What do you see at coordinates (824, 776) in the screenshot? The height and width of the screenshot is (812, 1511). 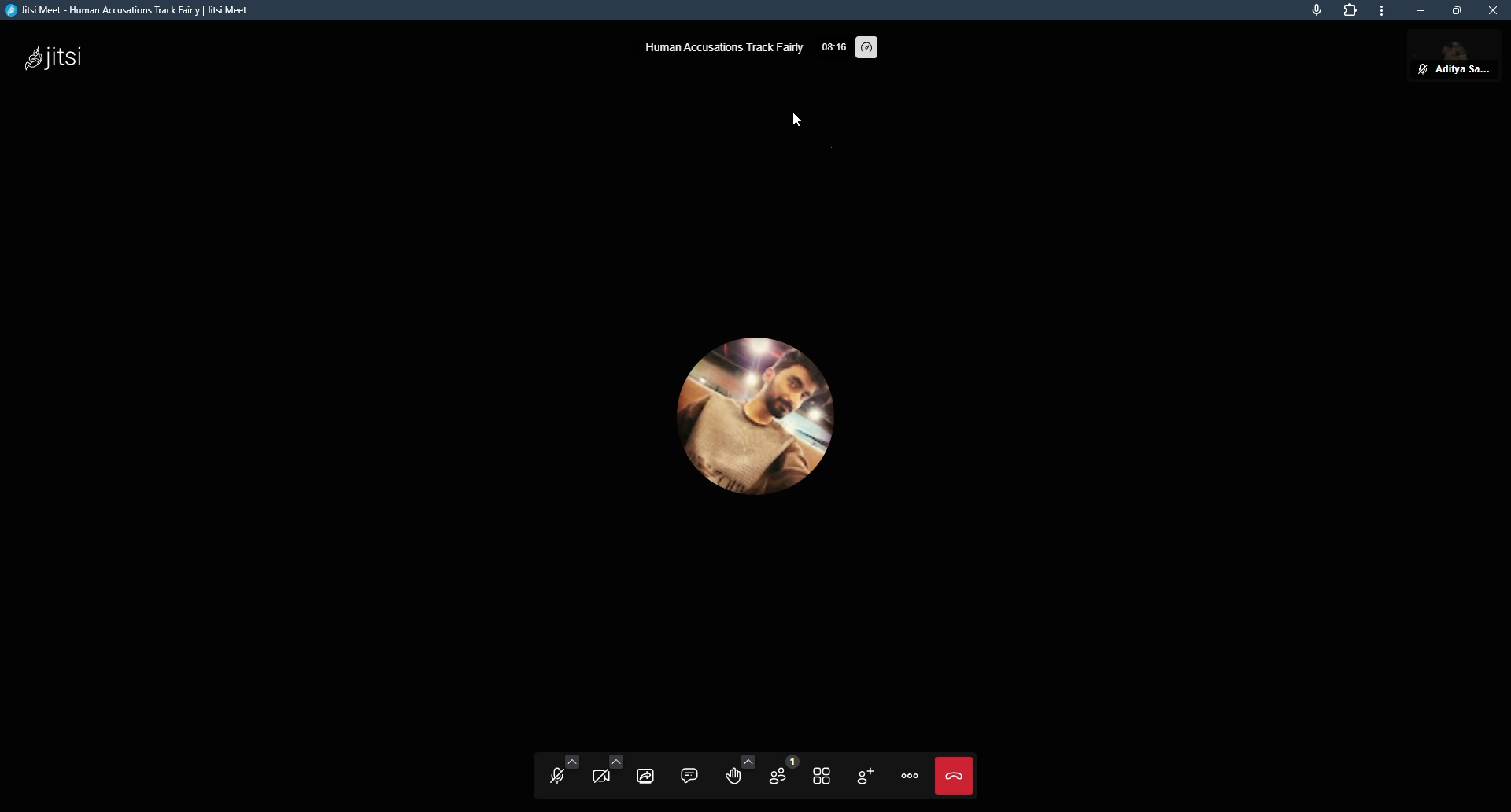 I see `source` at bounding box center [824, 776].